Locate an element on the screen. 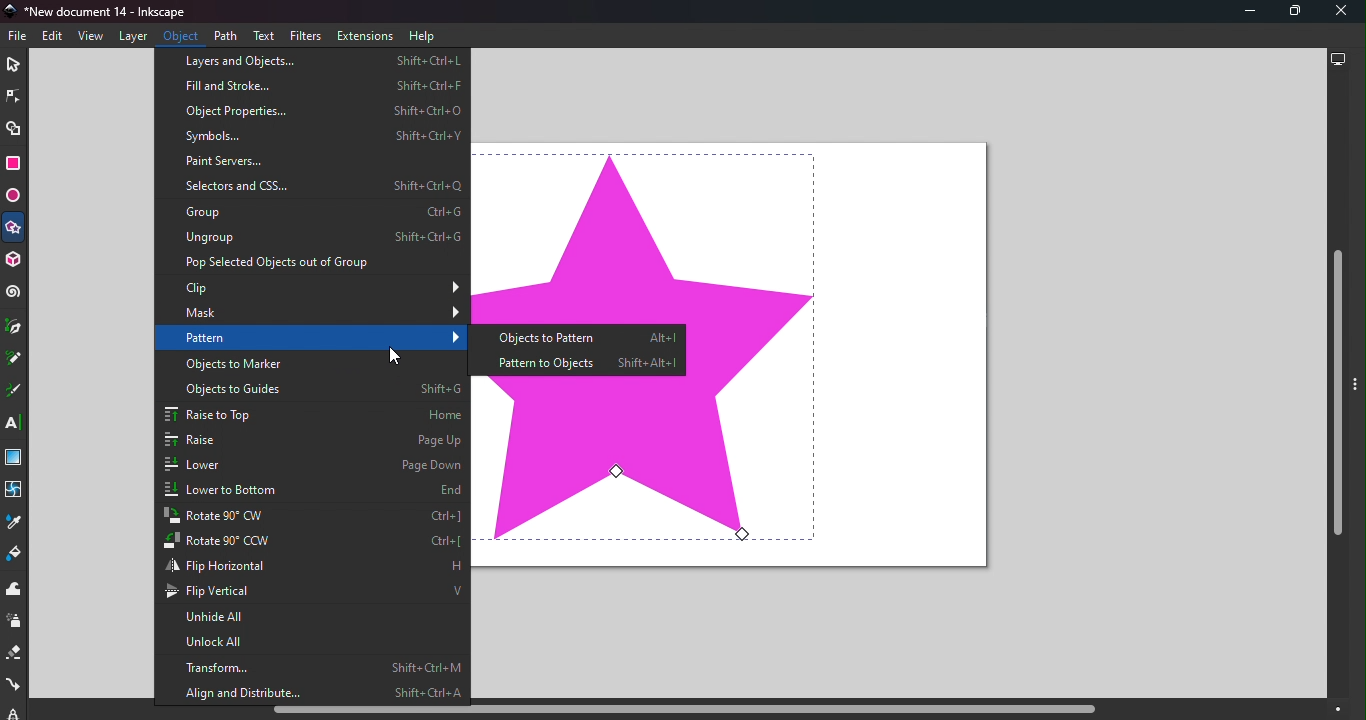 The height and width of the screenshot is (720, 1366). Pattern to objects is located at coordinates (577, 364).